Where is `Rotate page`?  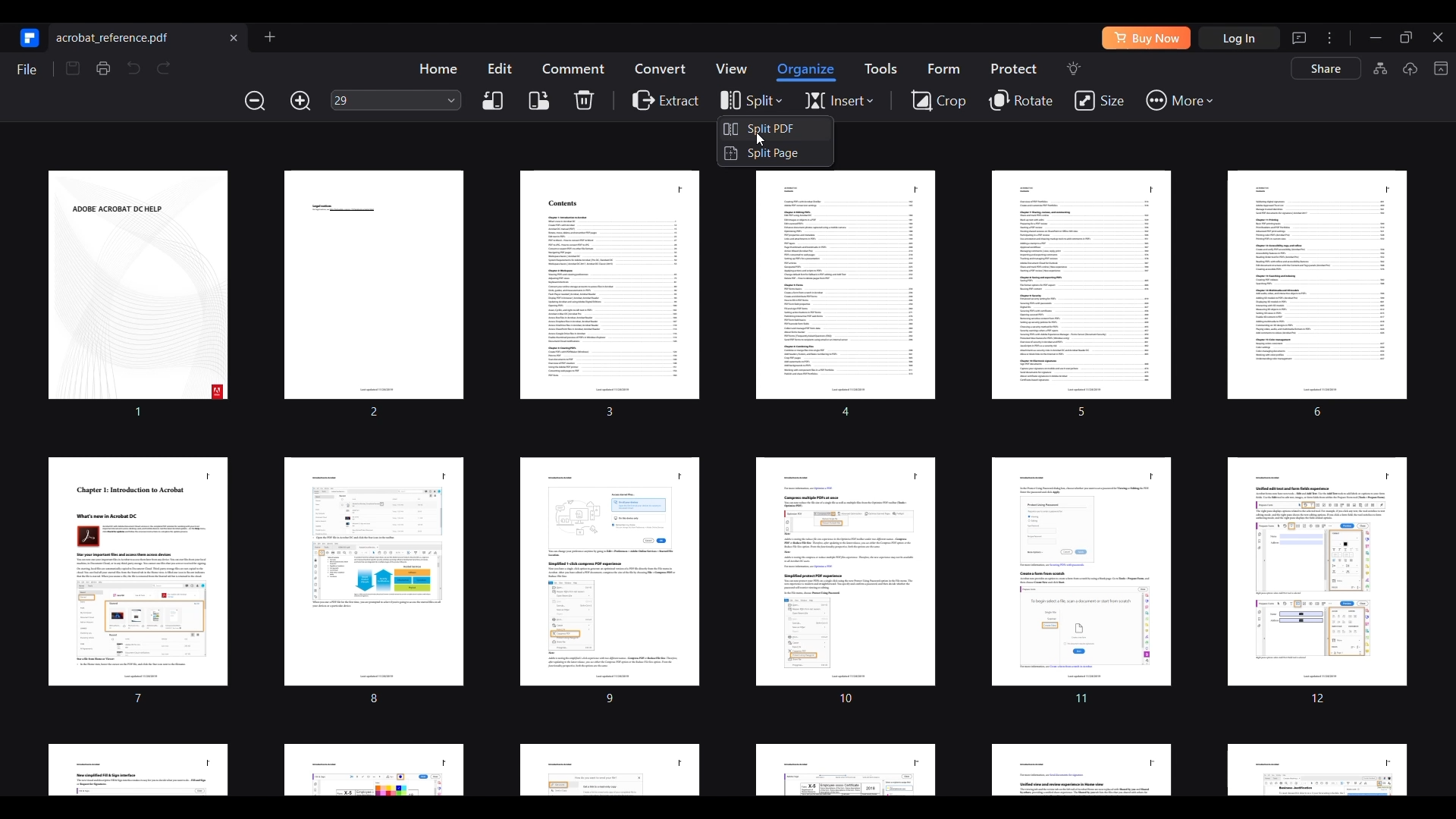 Rotate page is located at coordinates (1022, 101).